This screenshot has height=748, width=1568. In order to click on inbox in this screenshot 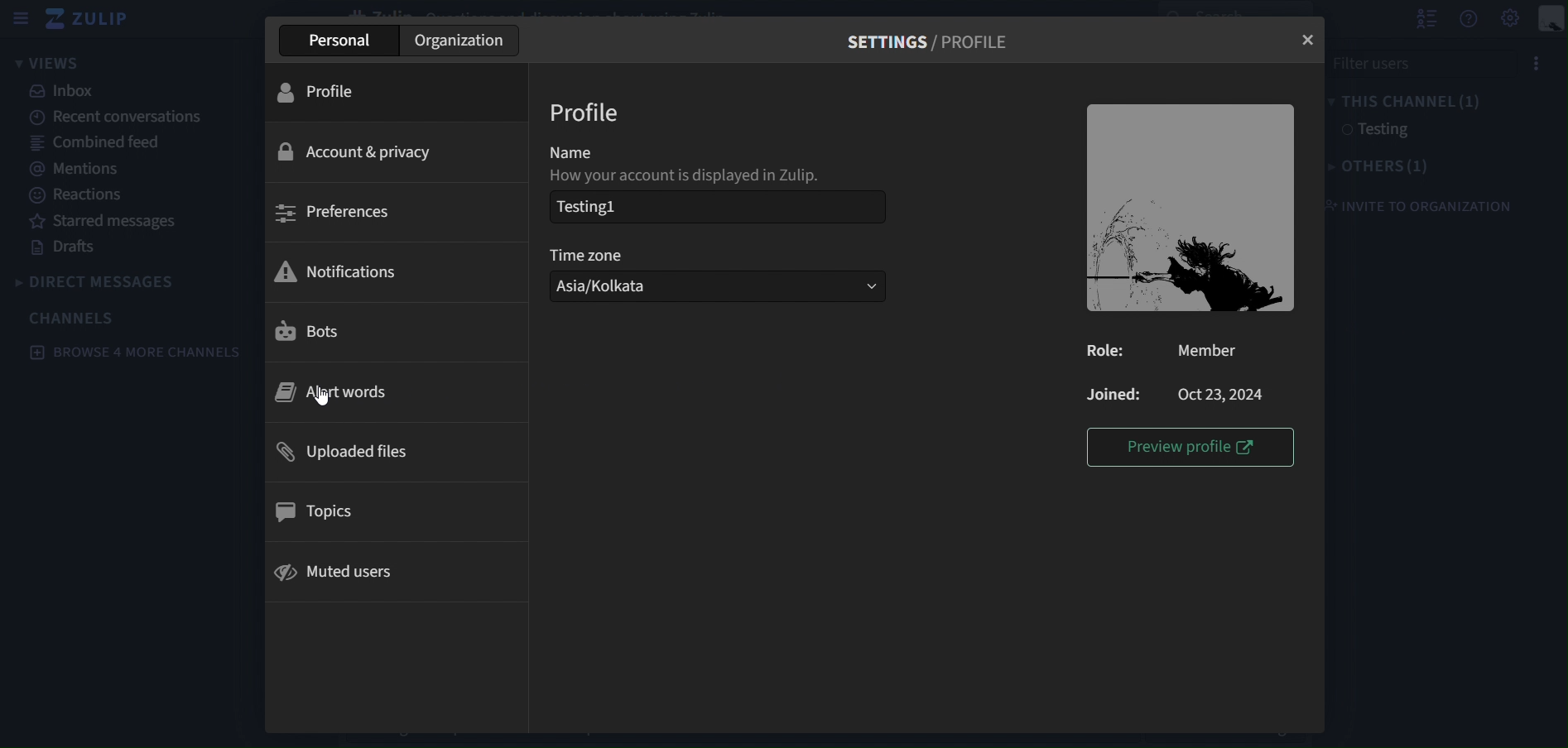, I will do `click(64, 93)`.